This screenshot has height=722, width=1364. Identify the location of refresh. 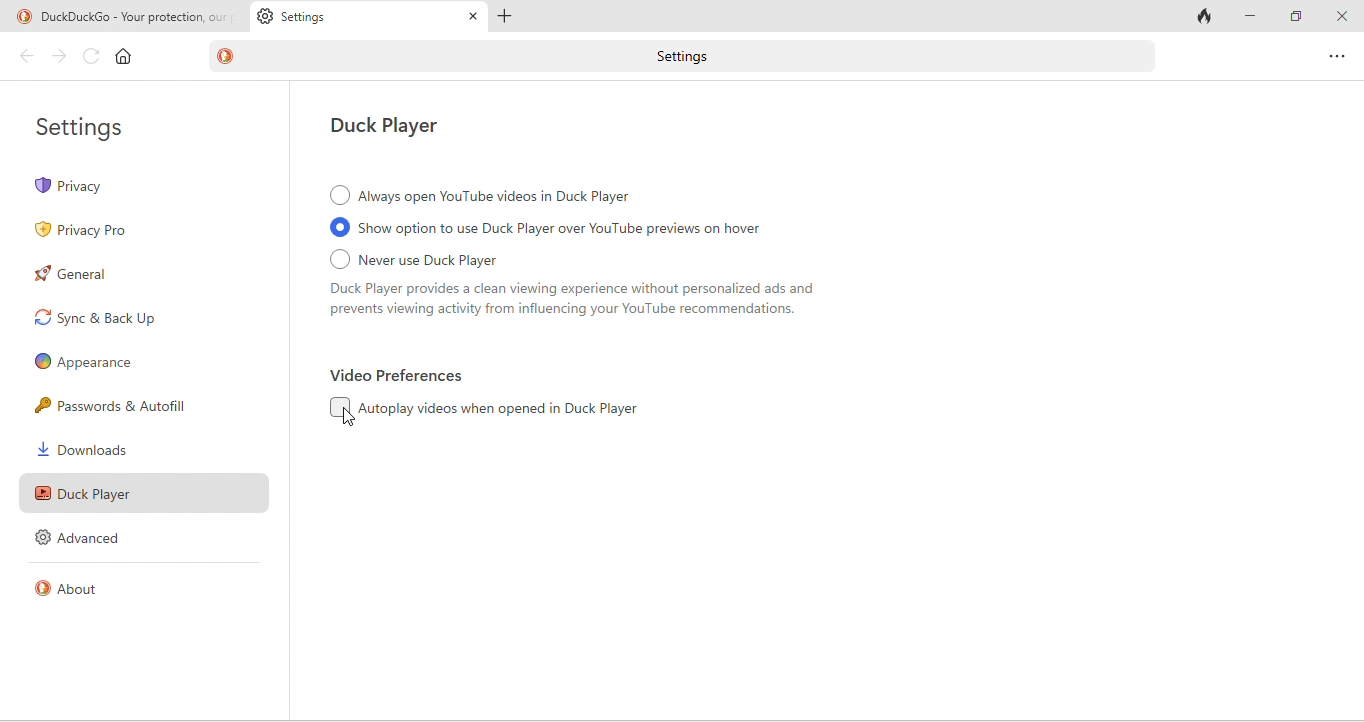
(92, 56).